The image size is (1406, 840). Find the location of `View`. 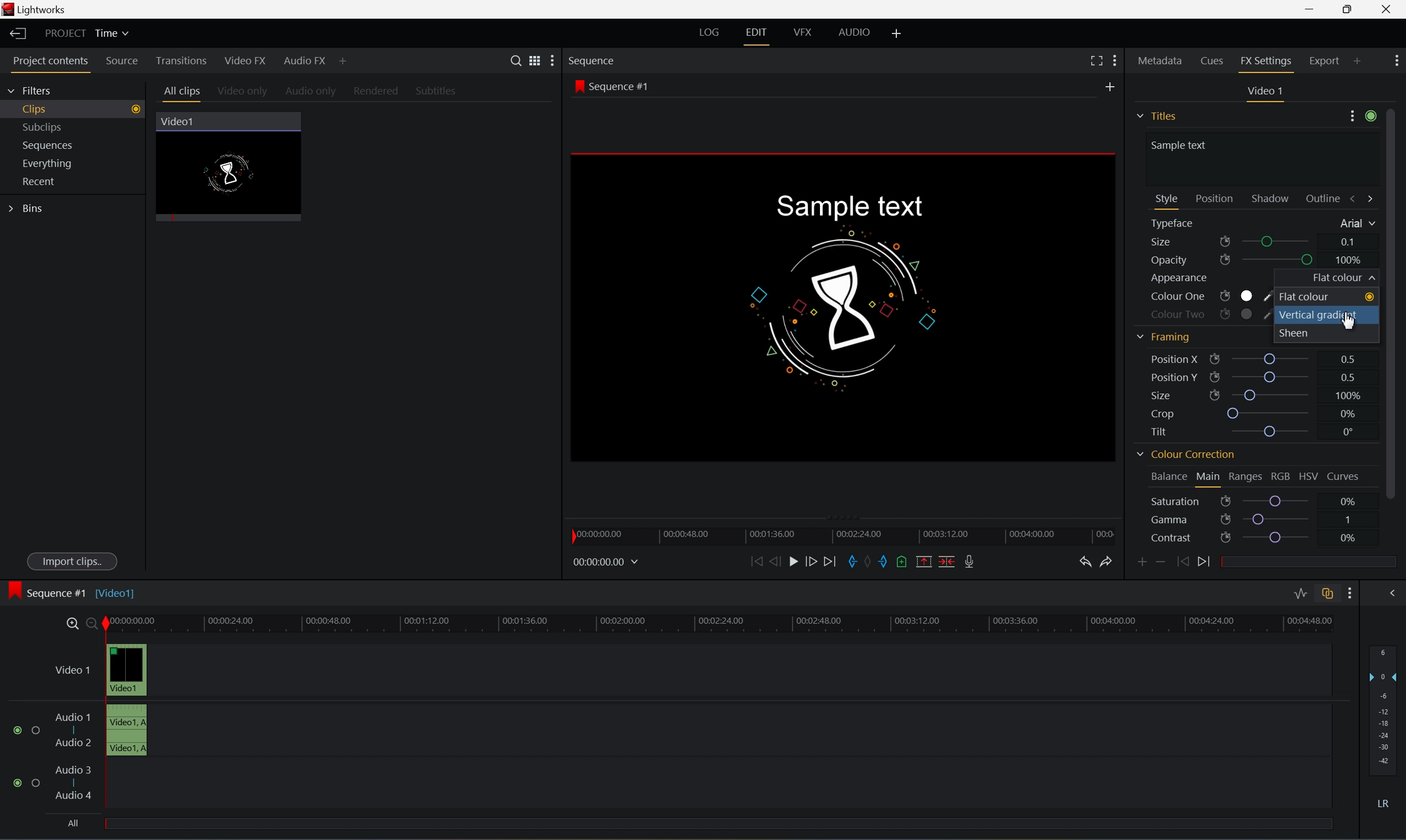

View is located at coordinates (531, 59).